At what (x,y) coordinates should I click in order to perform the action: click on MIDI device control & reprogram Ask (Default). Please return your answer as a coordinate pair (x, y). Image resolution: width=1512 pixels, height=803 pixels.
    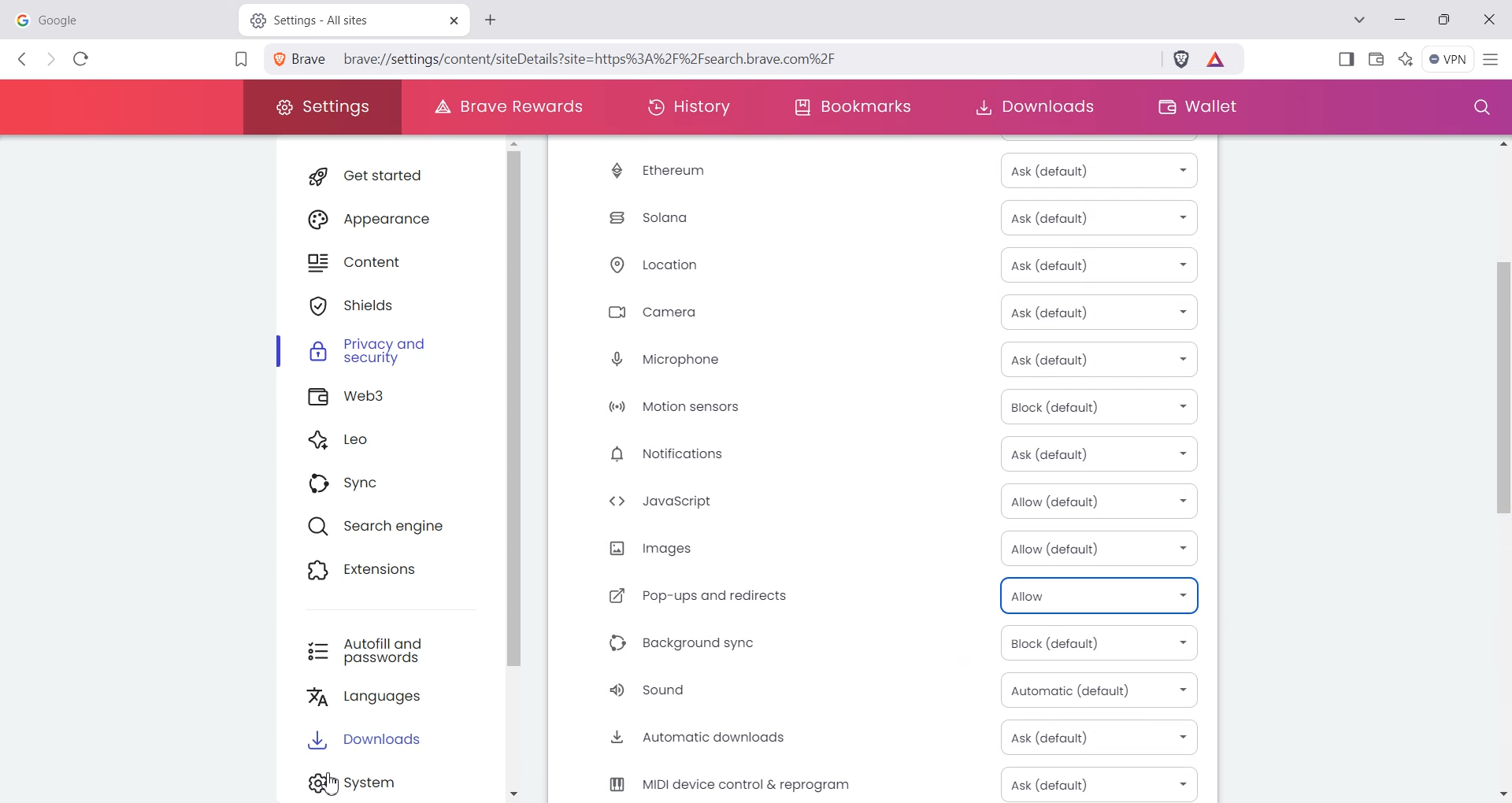
    Looking at the image, I should click on (886, 783).